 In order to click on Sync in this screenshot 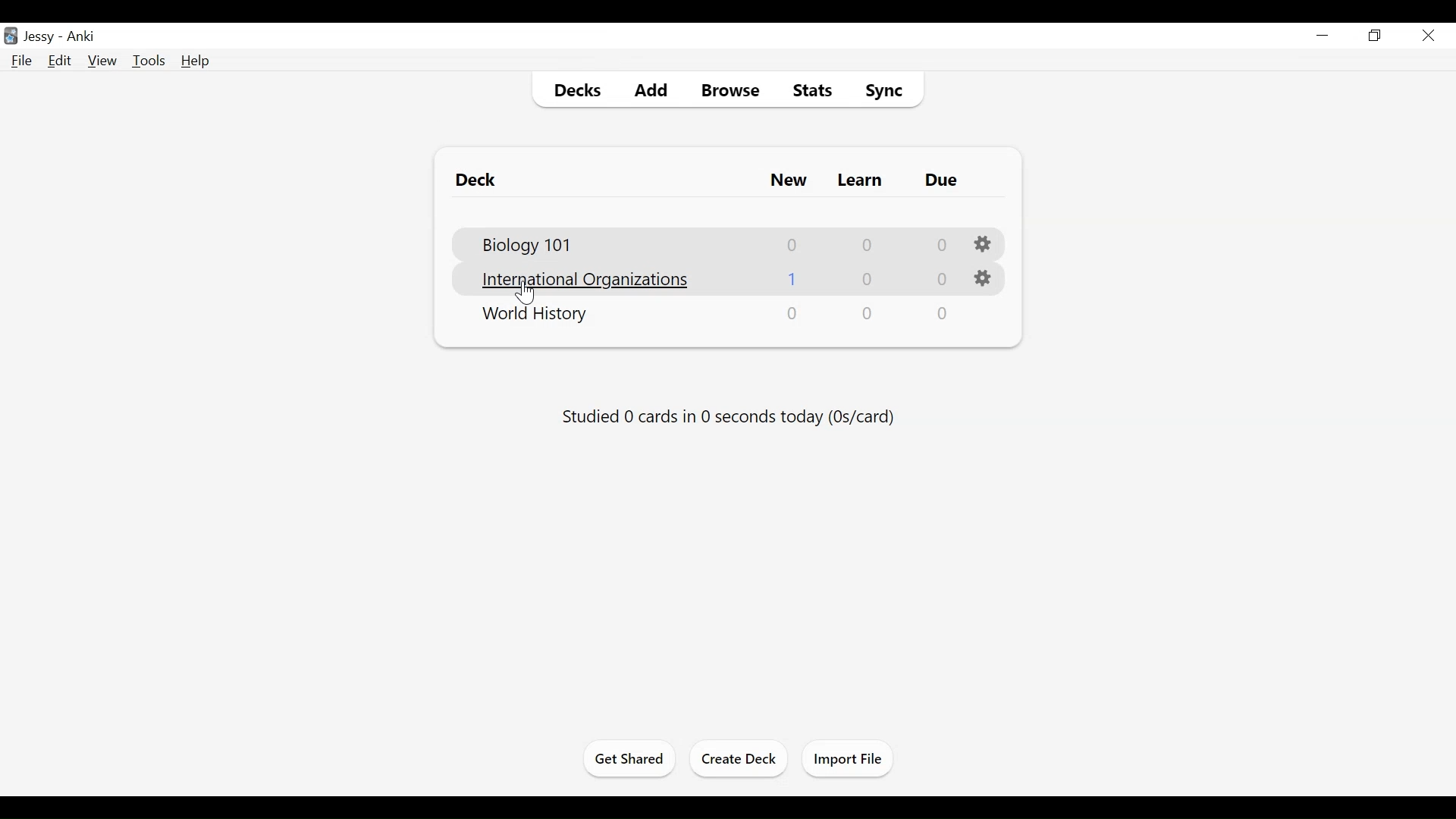, I will do `click(886, 92)`.